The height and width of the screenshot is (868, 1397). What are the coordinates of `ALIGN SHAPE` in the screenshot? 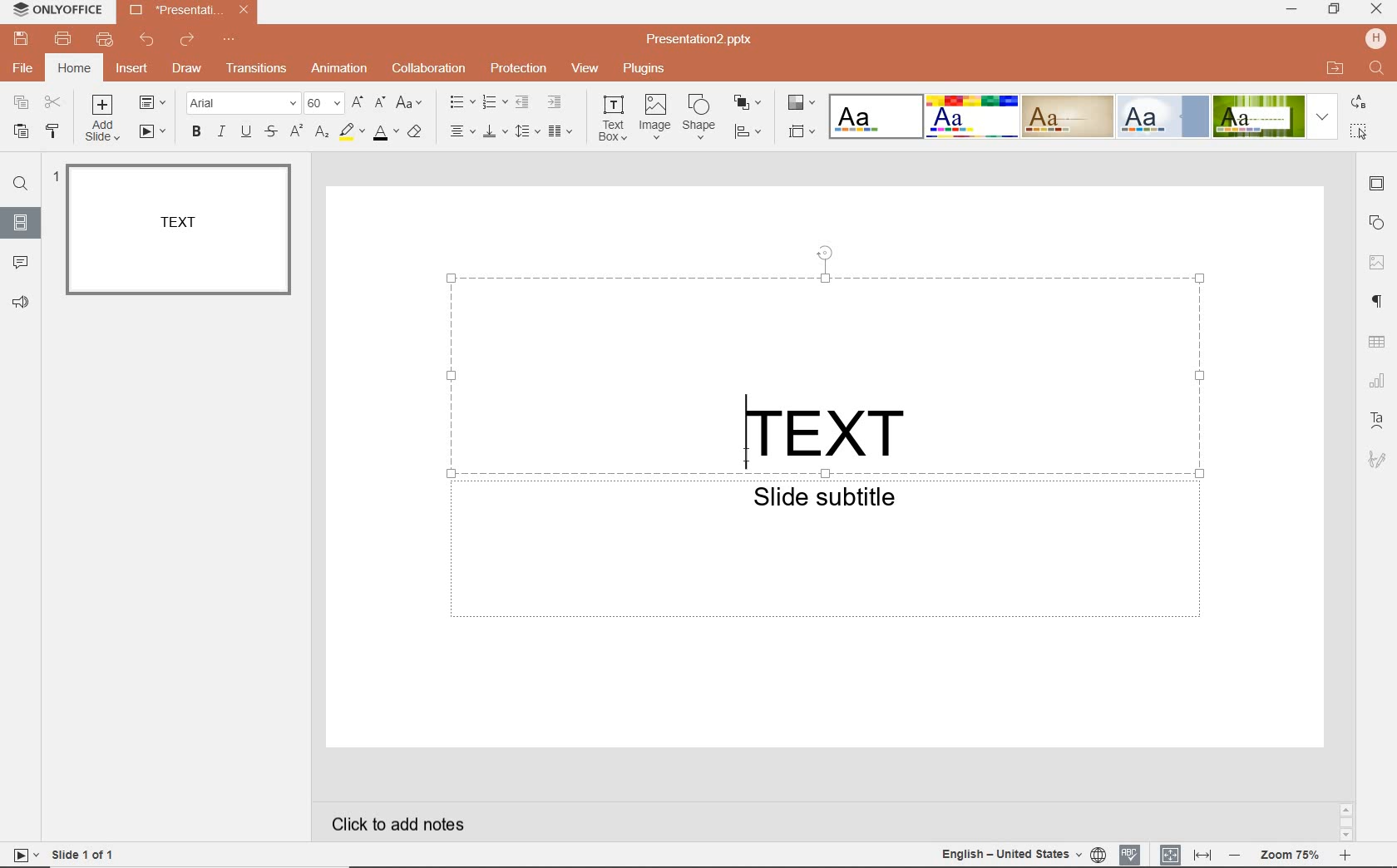 It's located at (753, 134).